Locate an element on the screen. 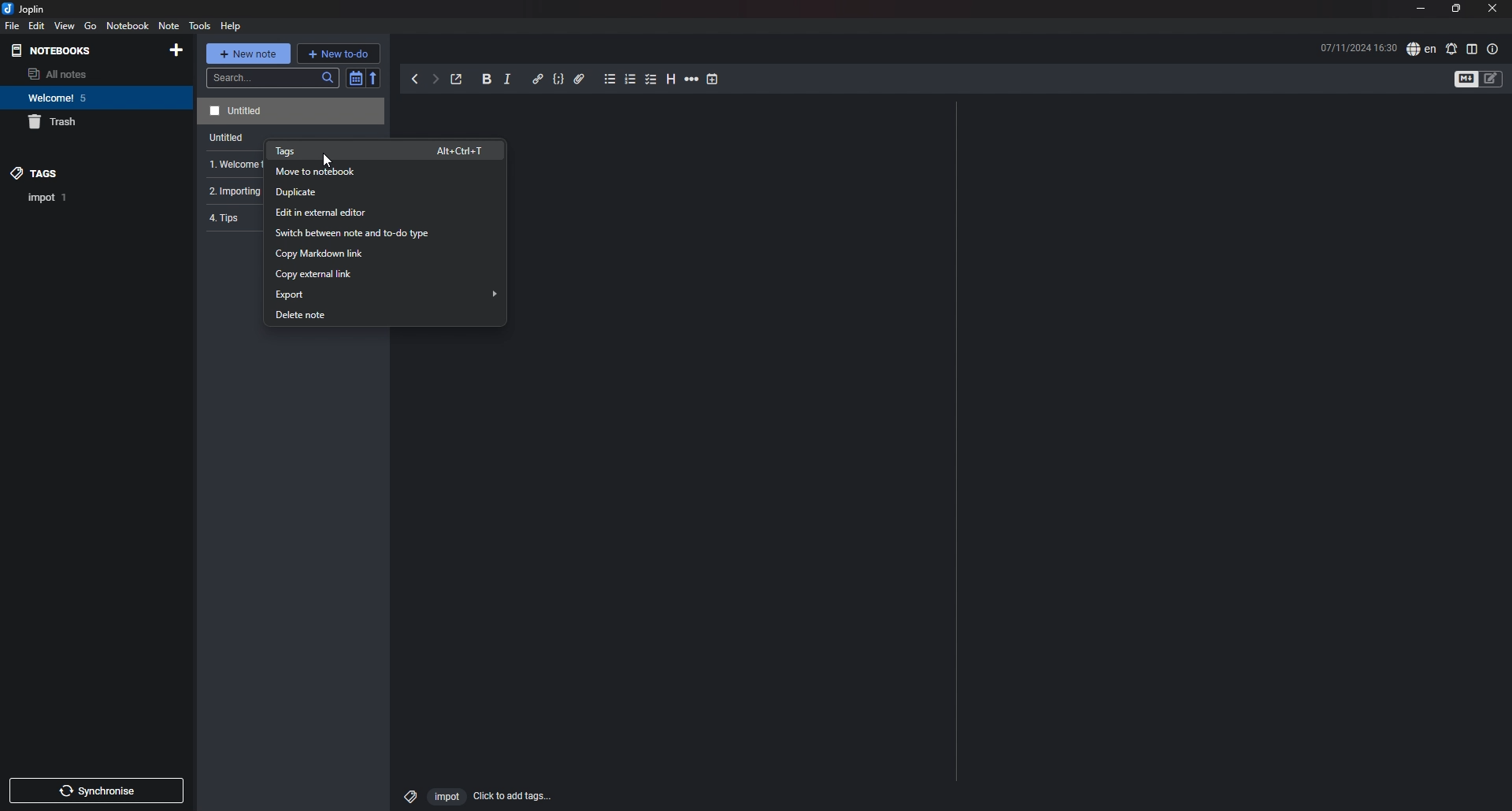  HELP is located at coordinates (231, 26).